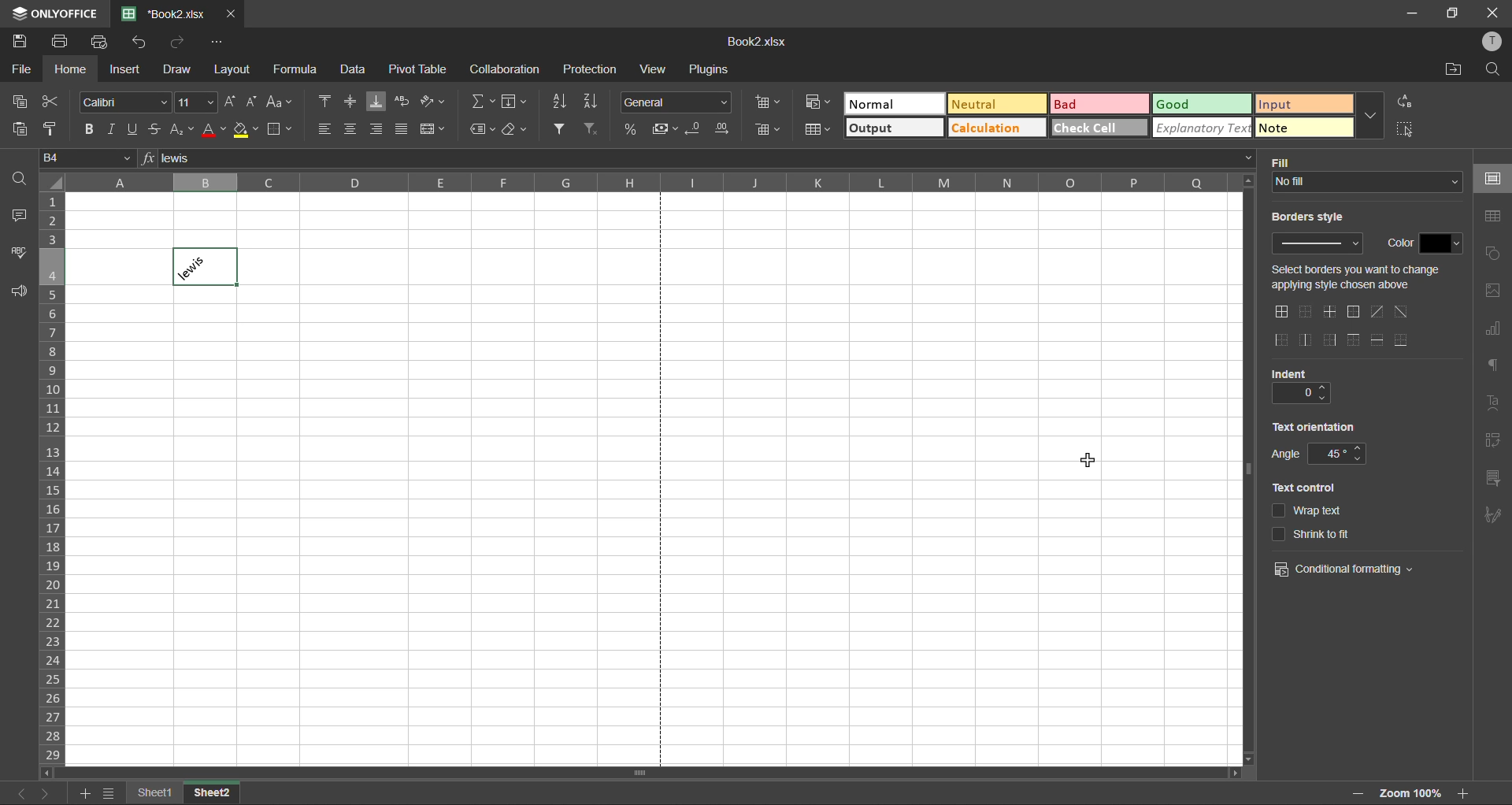  Describe the element at coordinates (145, 160) in the screenshot. I see `formula input` at that location.